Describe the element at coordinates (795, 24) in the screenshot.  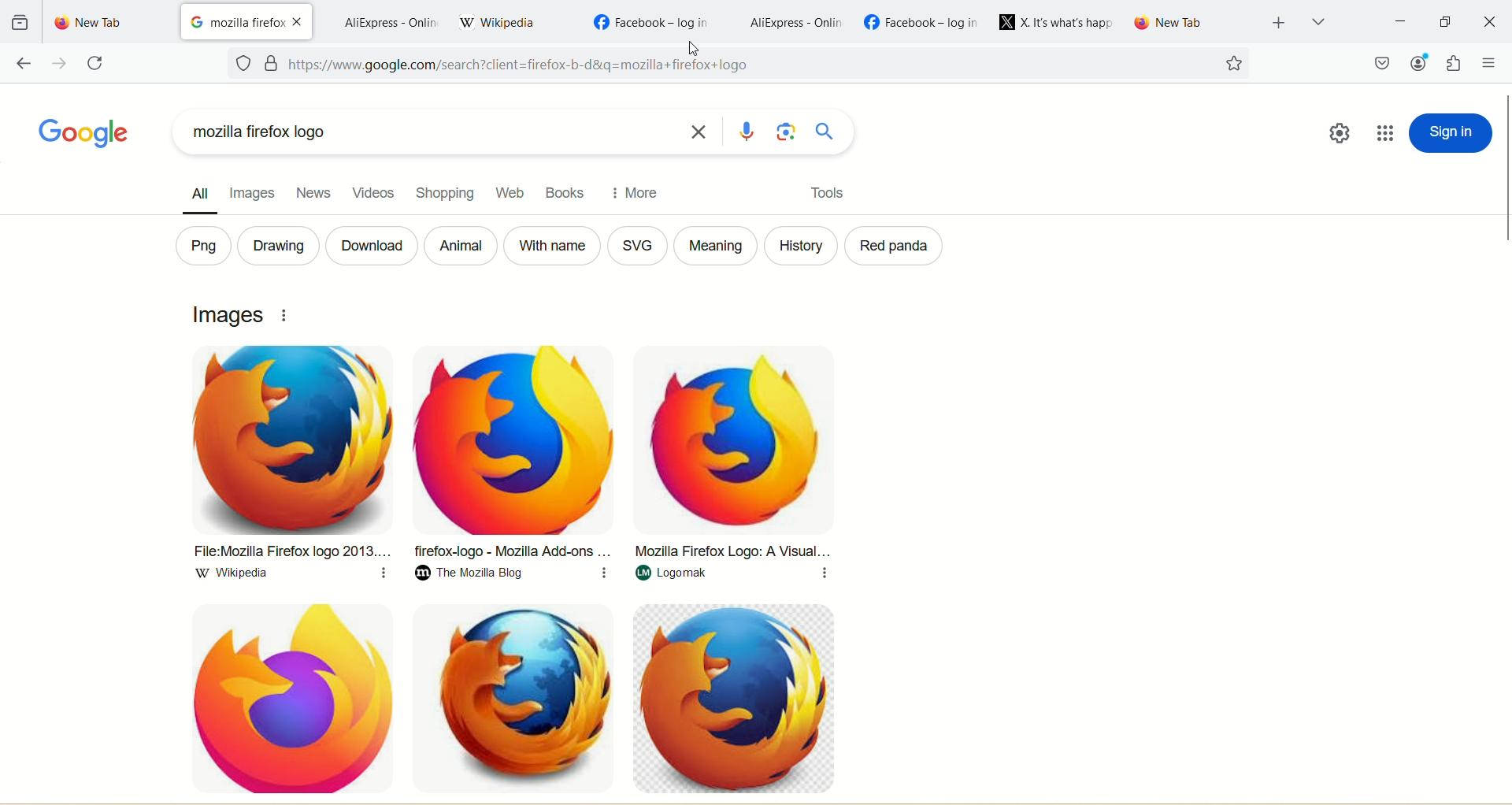
I see `AliExpress` at that location.